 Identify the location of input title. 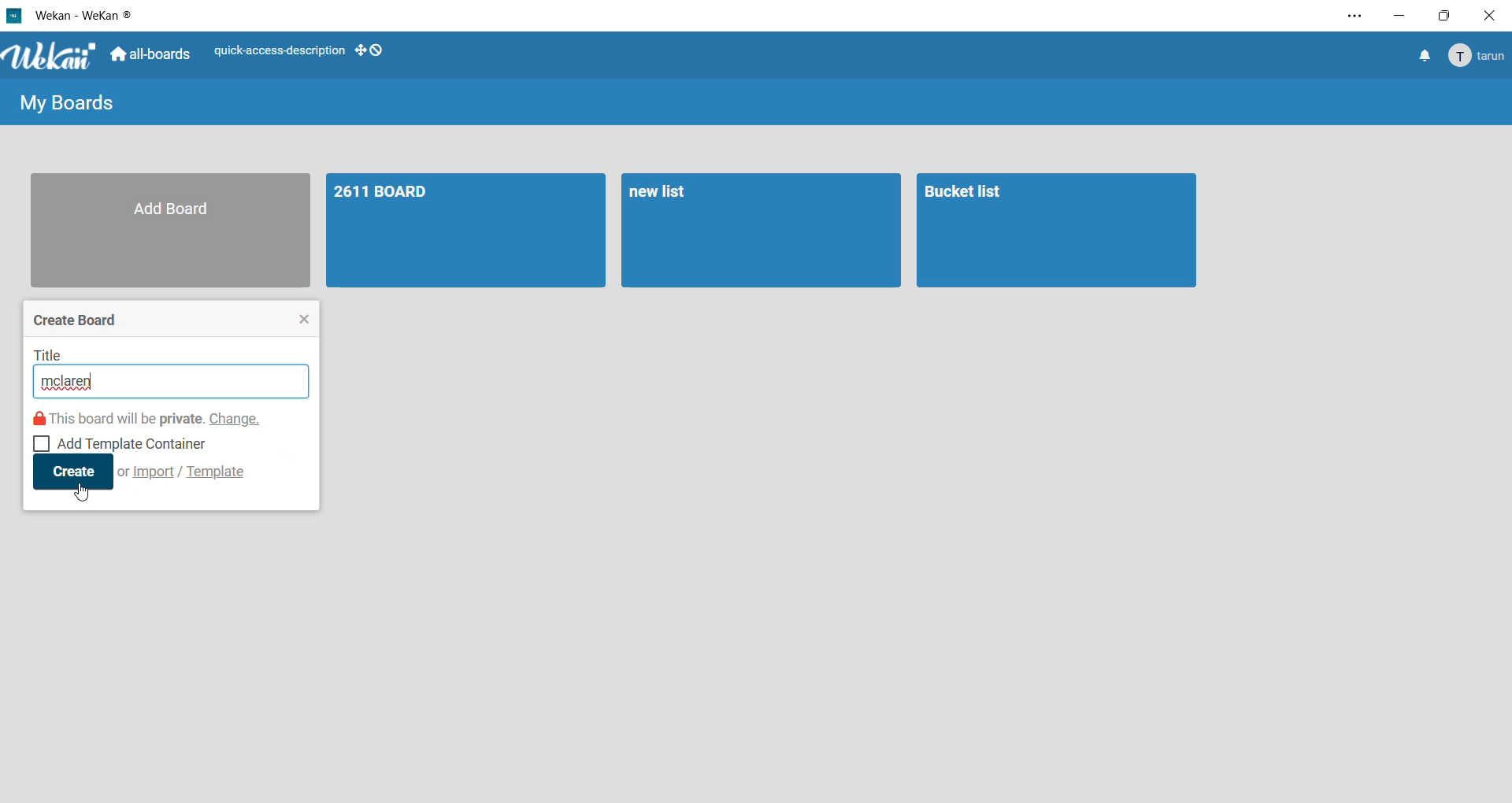
(170, 383).